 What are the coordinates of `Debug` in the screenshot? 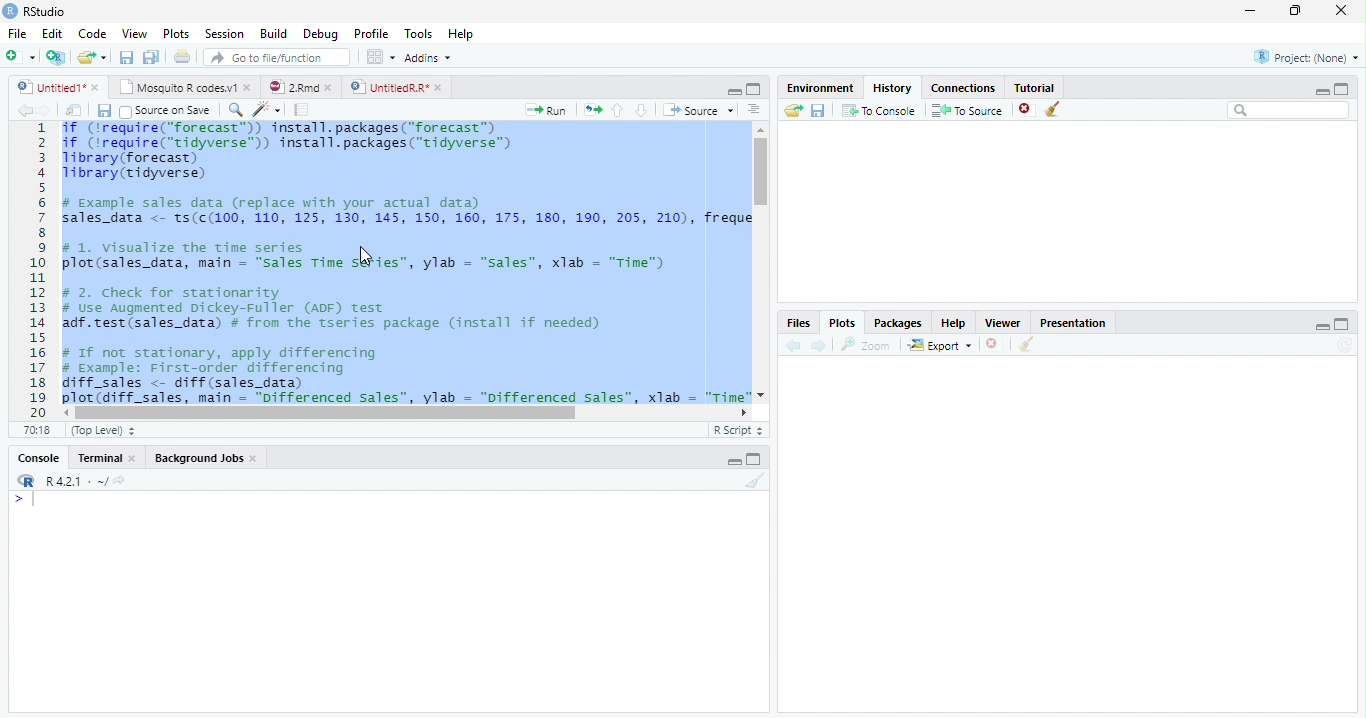 It's located at (321, 33).